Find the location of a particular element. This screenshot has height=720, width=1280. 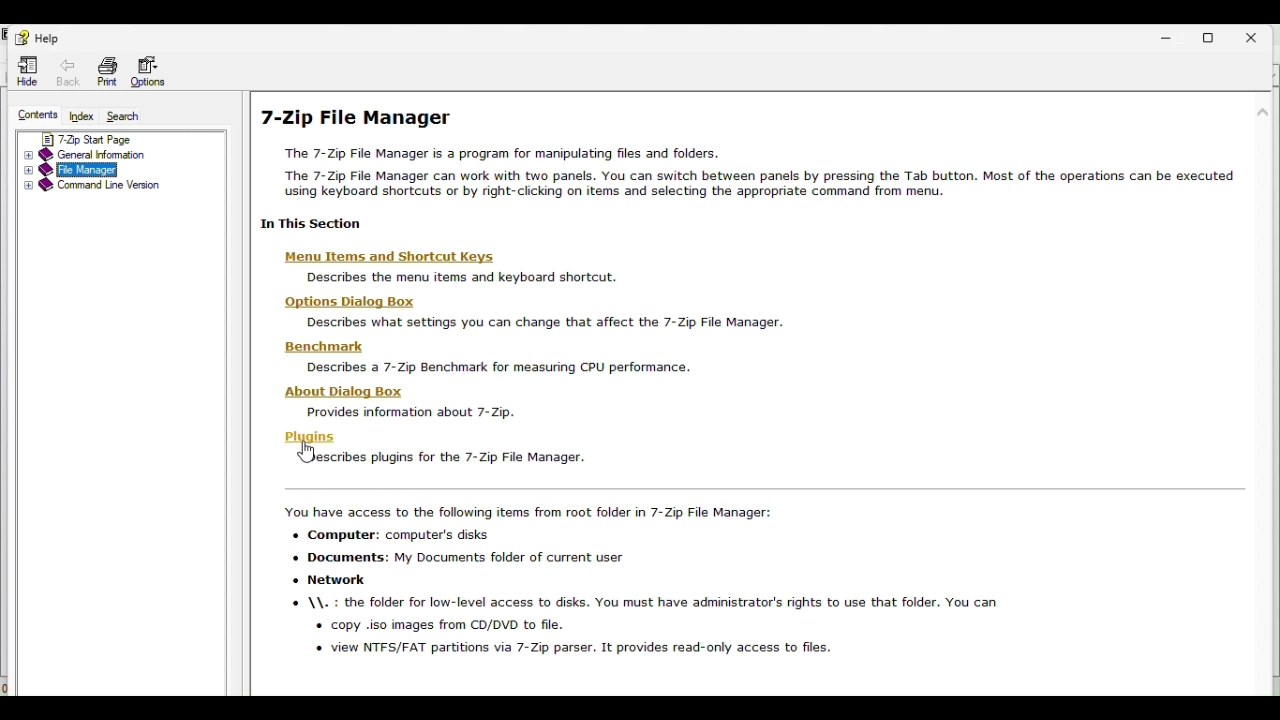

Hide is located at coordinates (25, 72).